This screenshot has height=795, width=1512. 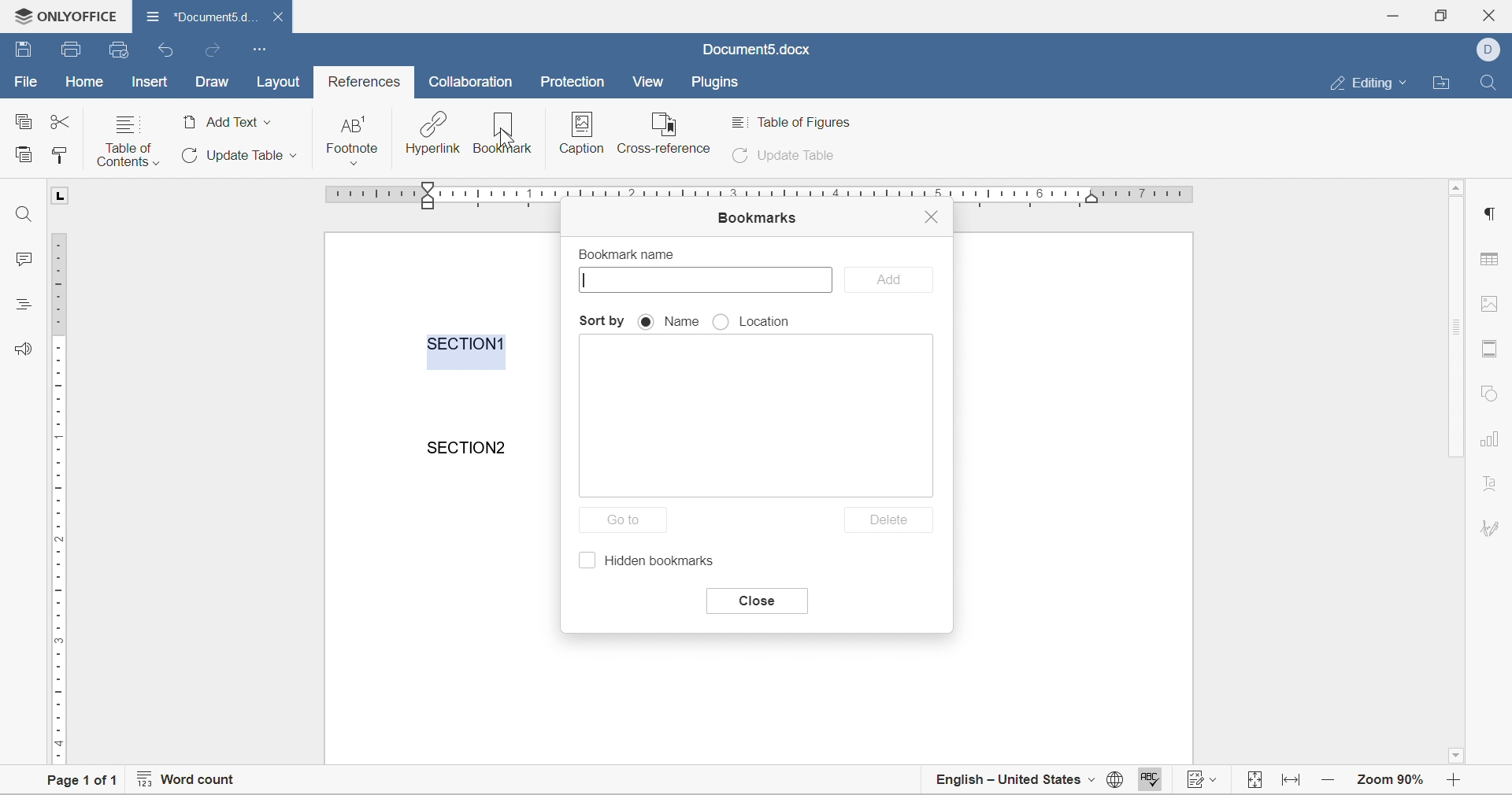 I want to click on find, so click(x=24, y=214).